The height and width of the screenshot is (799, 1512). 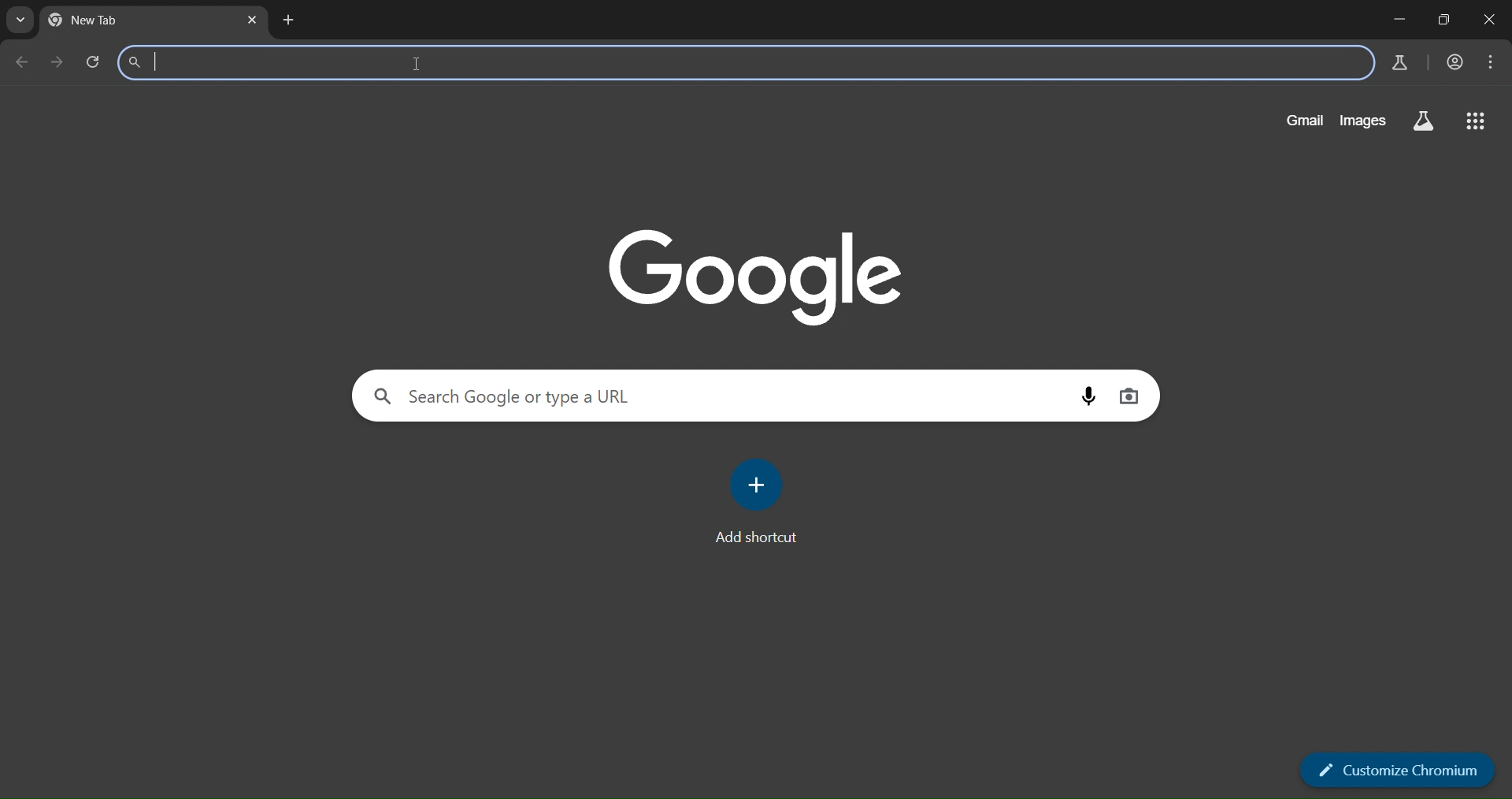 What do you see at coordinates (98, 63) in the screenshot?
I see `reload page` at bounding box center [98, 63].